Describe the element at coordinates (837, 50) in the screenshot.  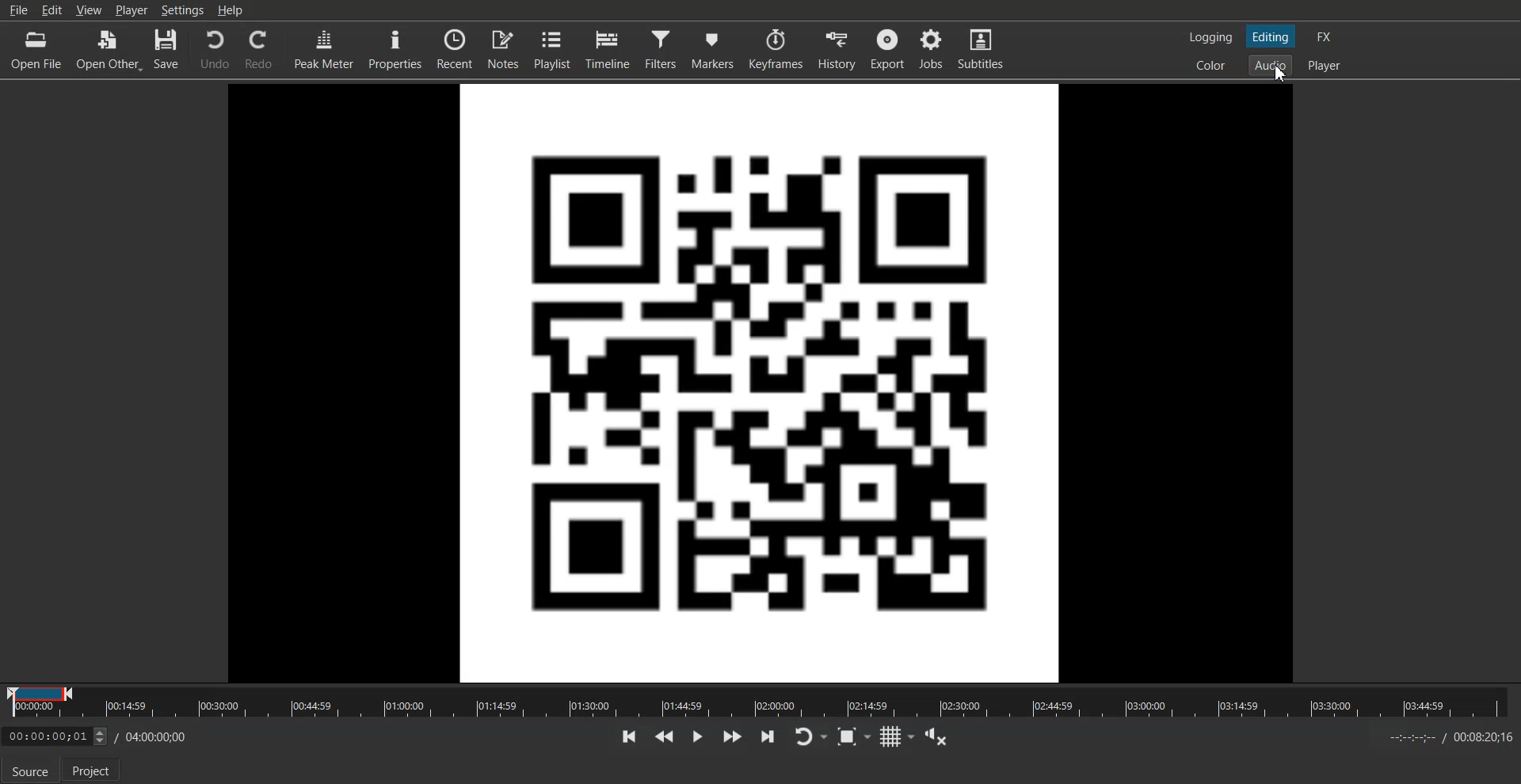
I see `History` at that location.